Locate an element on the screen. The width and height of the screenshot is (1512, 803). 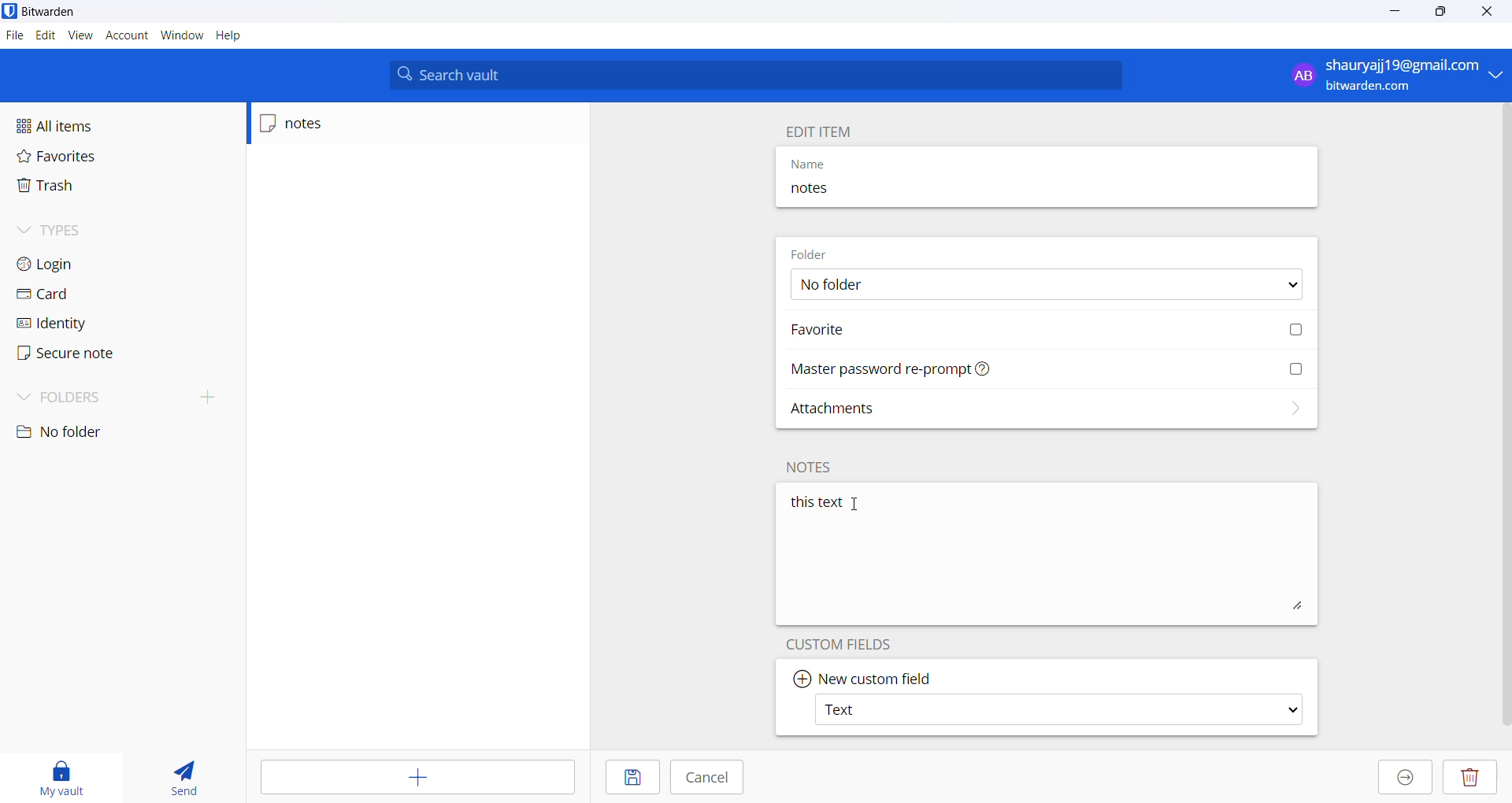
attachments is located at coordinates (1046, 413).